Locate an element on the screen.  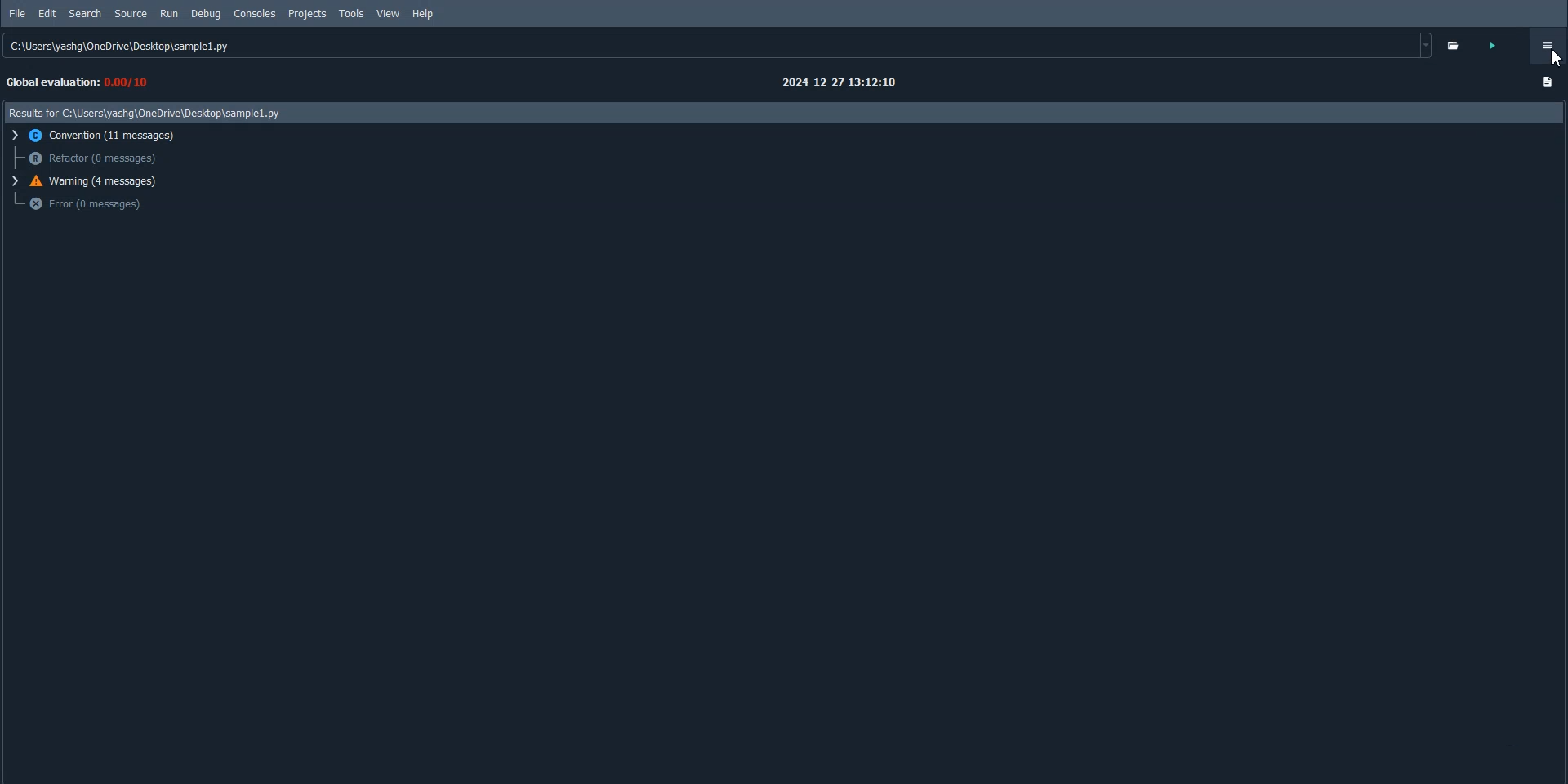
Search is located at coordinates (86, 13).